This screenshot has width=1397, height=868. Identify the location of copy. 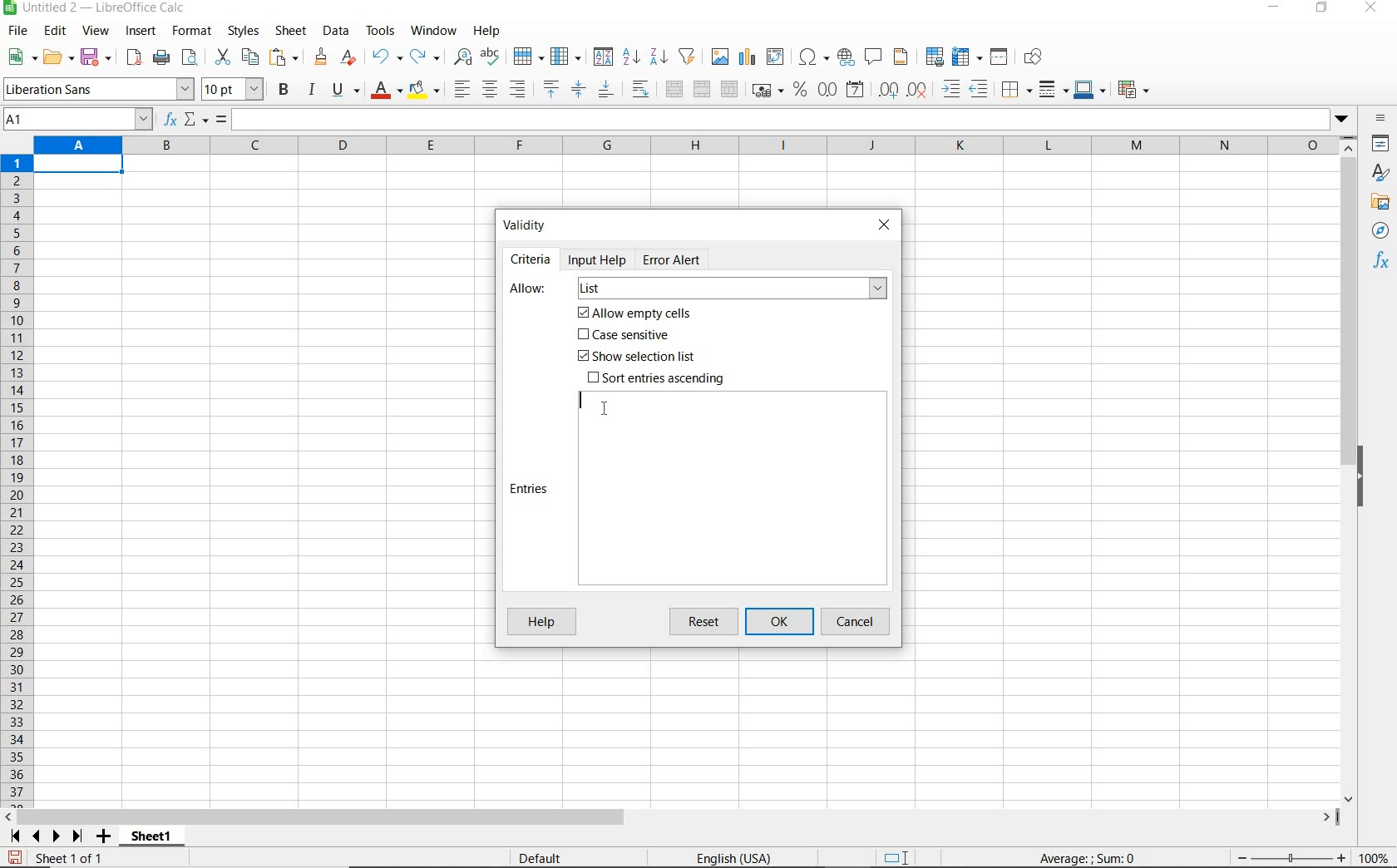
(251, 57).